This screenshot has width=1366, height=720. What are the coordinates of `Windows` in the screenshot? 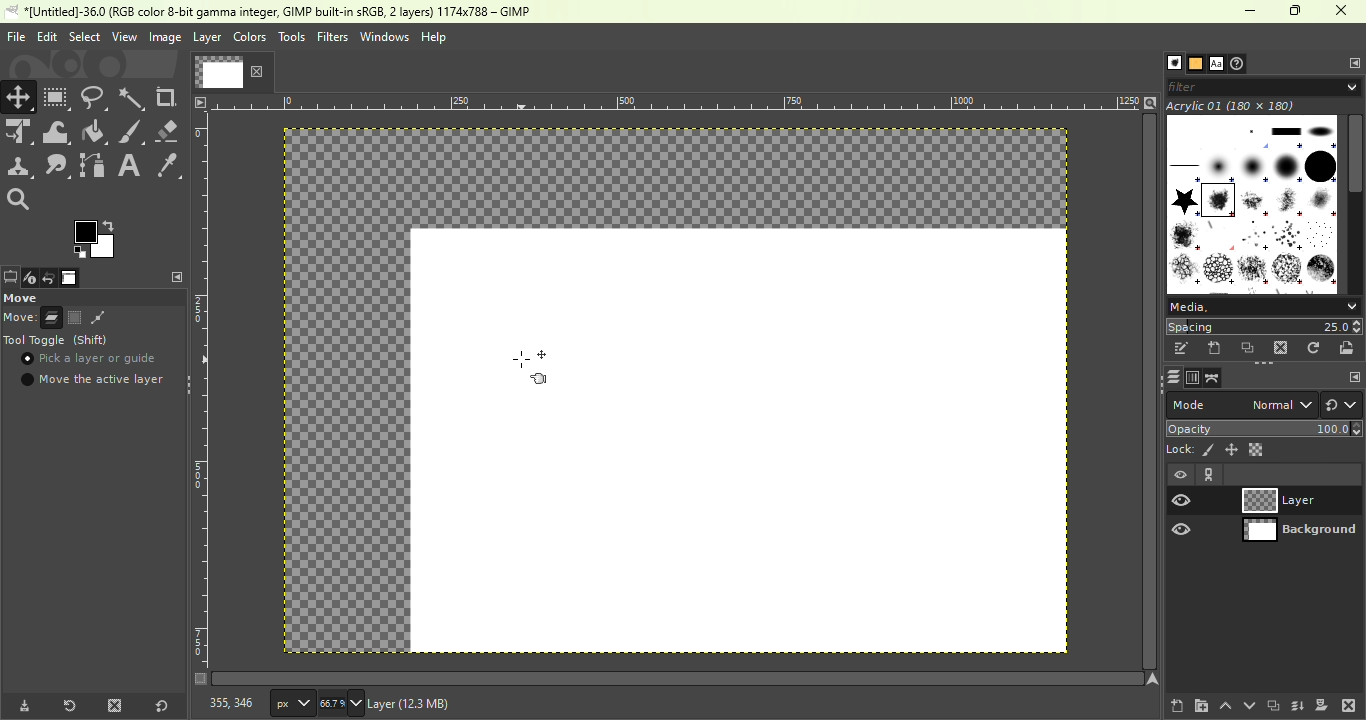 It's located at (384, 37).